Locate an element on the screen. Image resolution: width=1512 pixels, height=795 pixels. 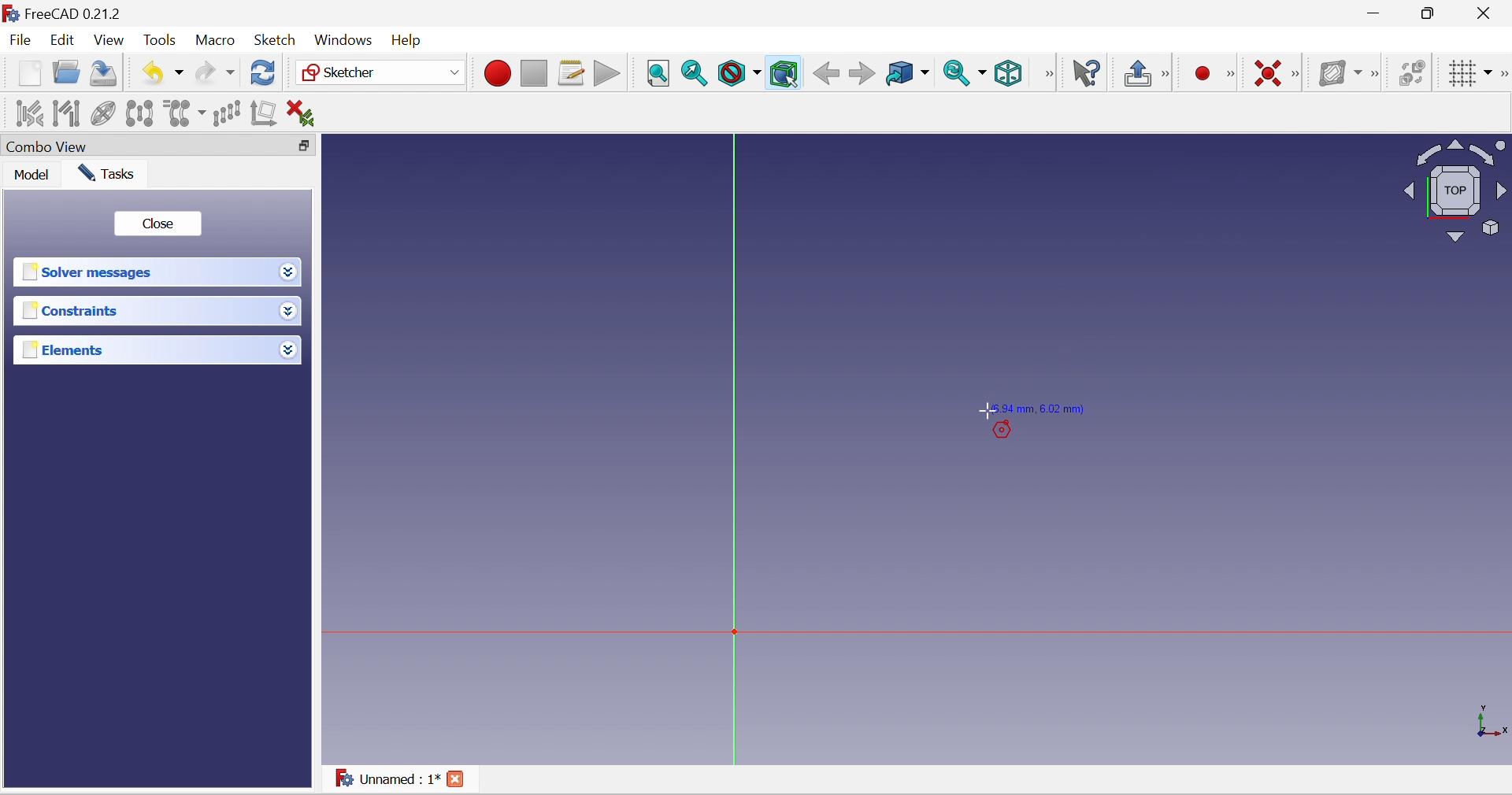
Show/hide internal geometry is located at coordinates (105, 112).